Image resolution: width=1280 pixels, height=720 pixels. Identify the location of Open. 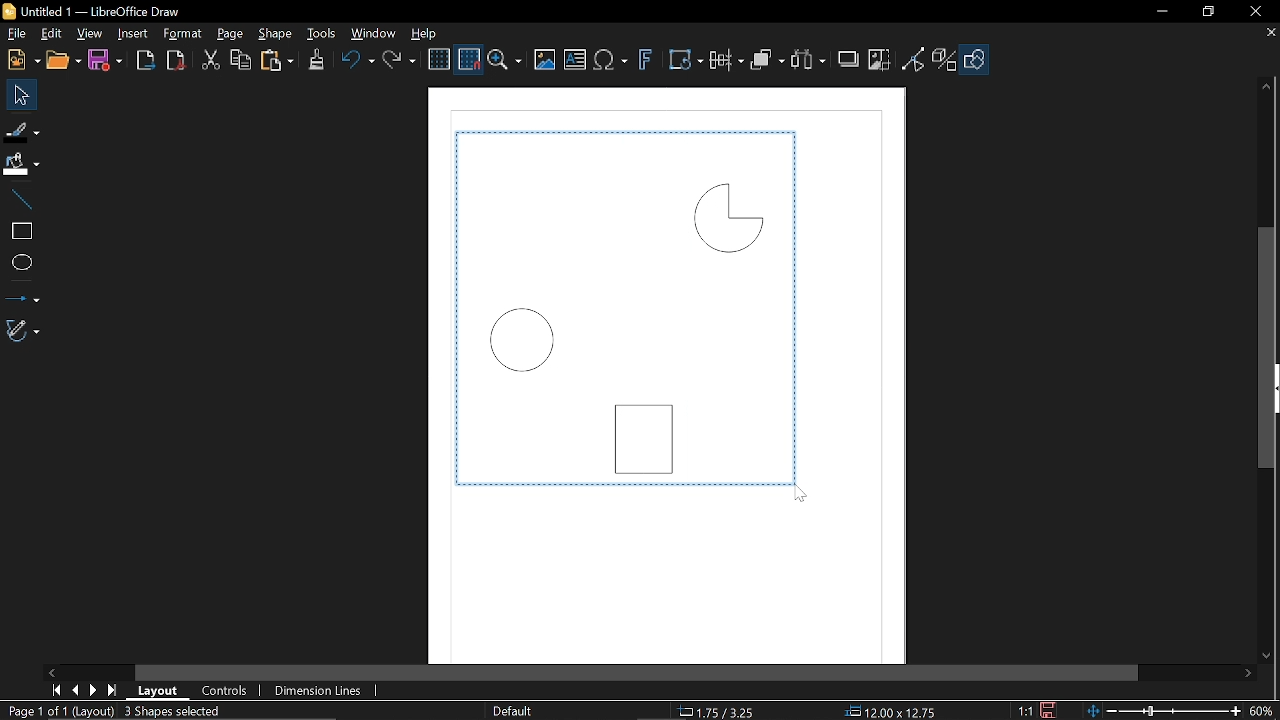
(62, 61).